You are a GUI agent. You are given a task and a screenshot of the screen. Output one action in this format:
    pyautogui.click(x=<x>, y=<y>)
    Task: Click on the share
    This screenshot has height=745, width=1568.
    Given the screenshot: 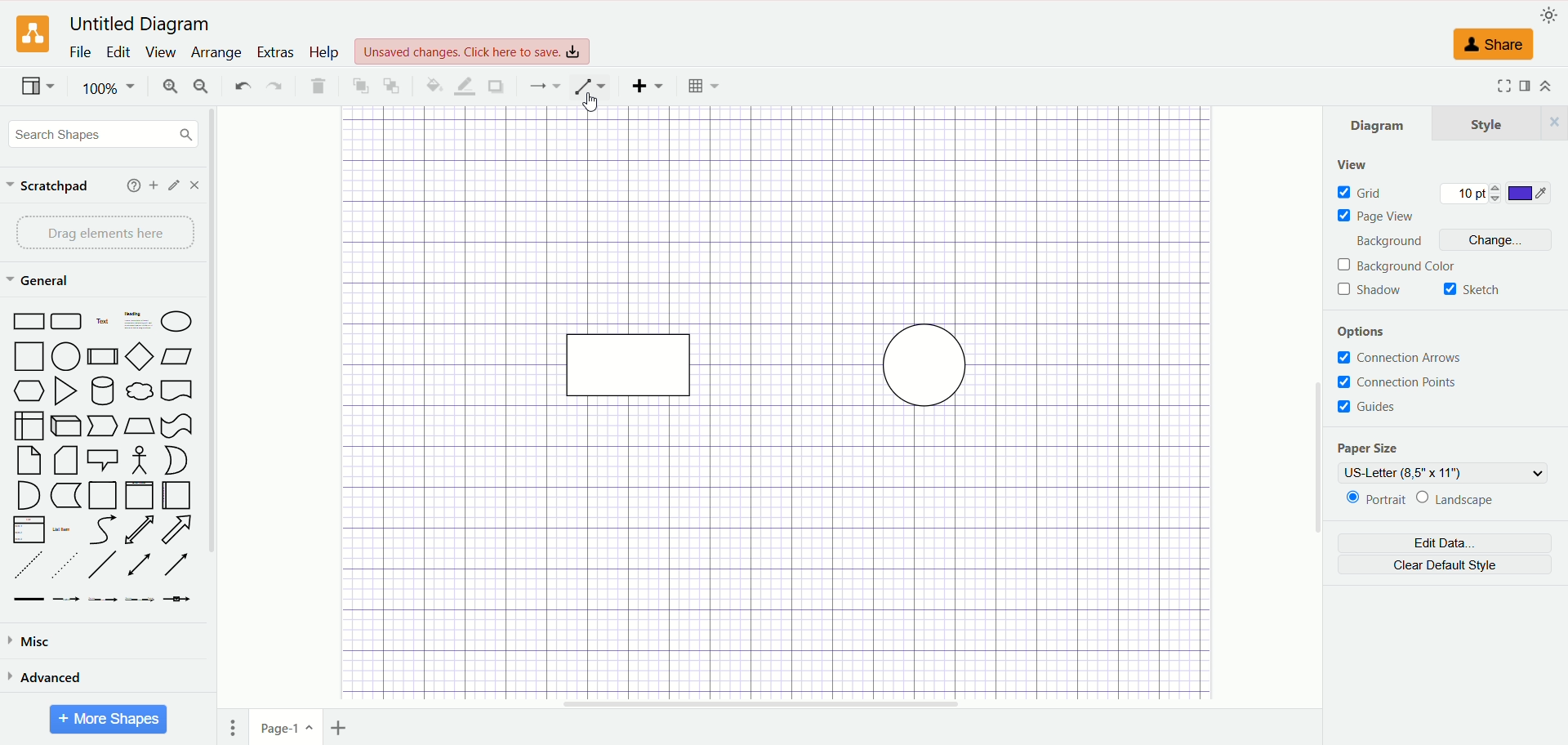 What is the action you would take?
    pyautogui.click(x=1493, y=45)
    